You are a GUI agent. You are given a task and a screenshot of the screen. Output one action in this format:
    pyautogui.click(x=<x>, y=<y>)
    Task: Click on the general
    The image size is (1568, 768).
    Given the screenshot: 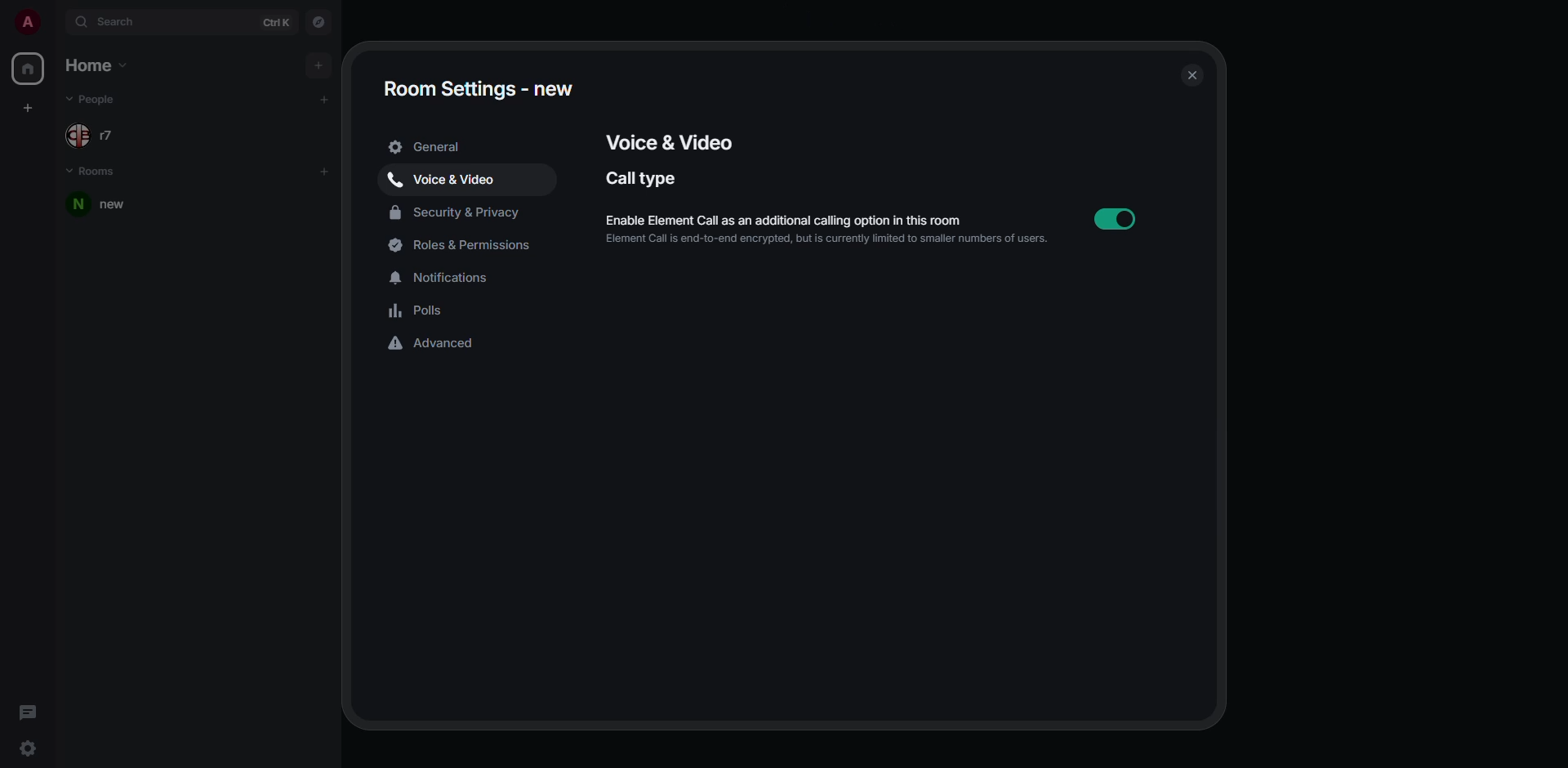 What is the action you would take?
    pyautogui.click(x=429, y=145)
    